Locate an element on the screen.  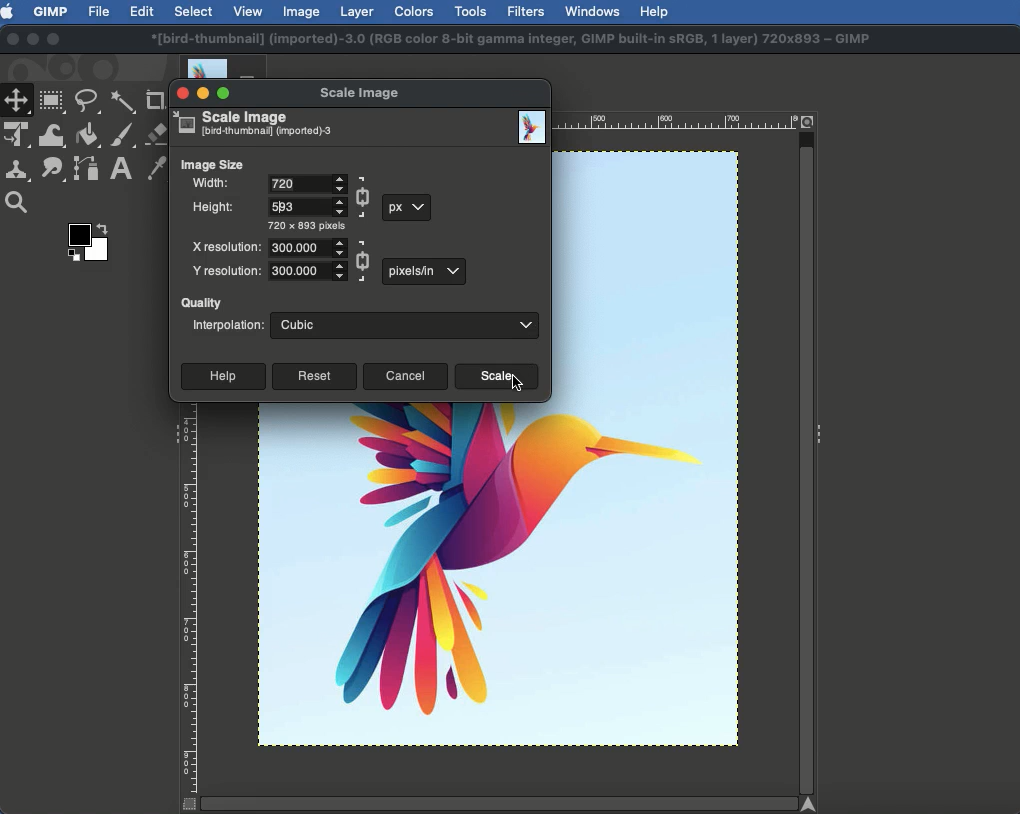
720 x 893 pixels is located at coordinates (310, 226).